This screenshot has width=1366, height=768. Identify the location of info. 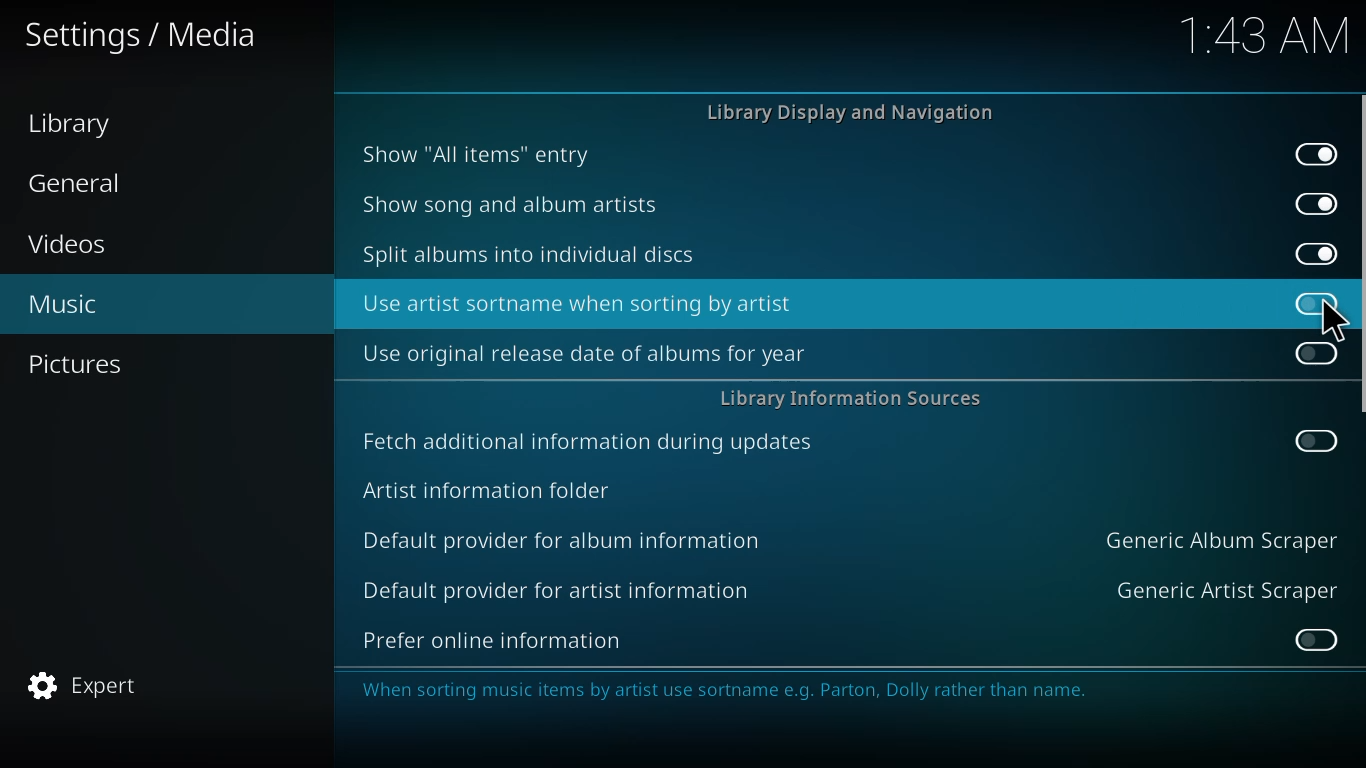
(826, 690).